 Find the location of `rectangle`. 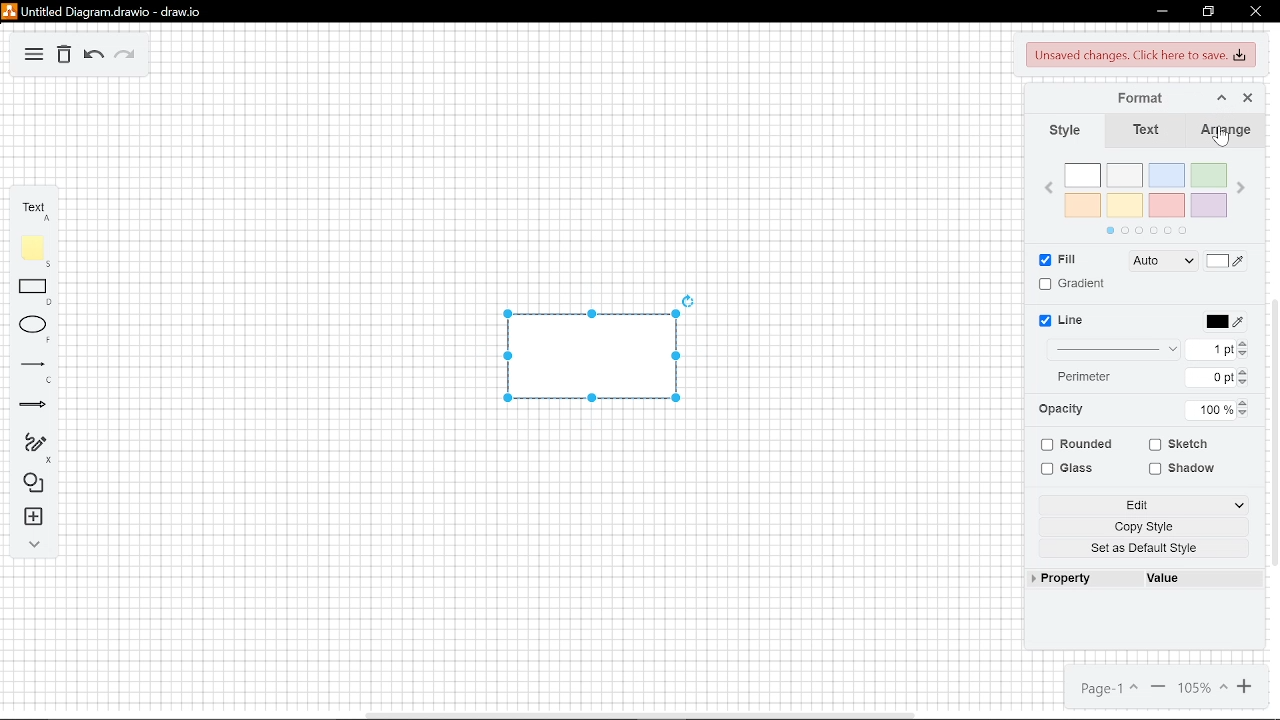

rectangle is located at coordinates (38, 291).